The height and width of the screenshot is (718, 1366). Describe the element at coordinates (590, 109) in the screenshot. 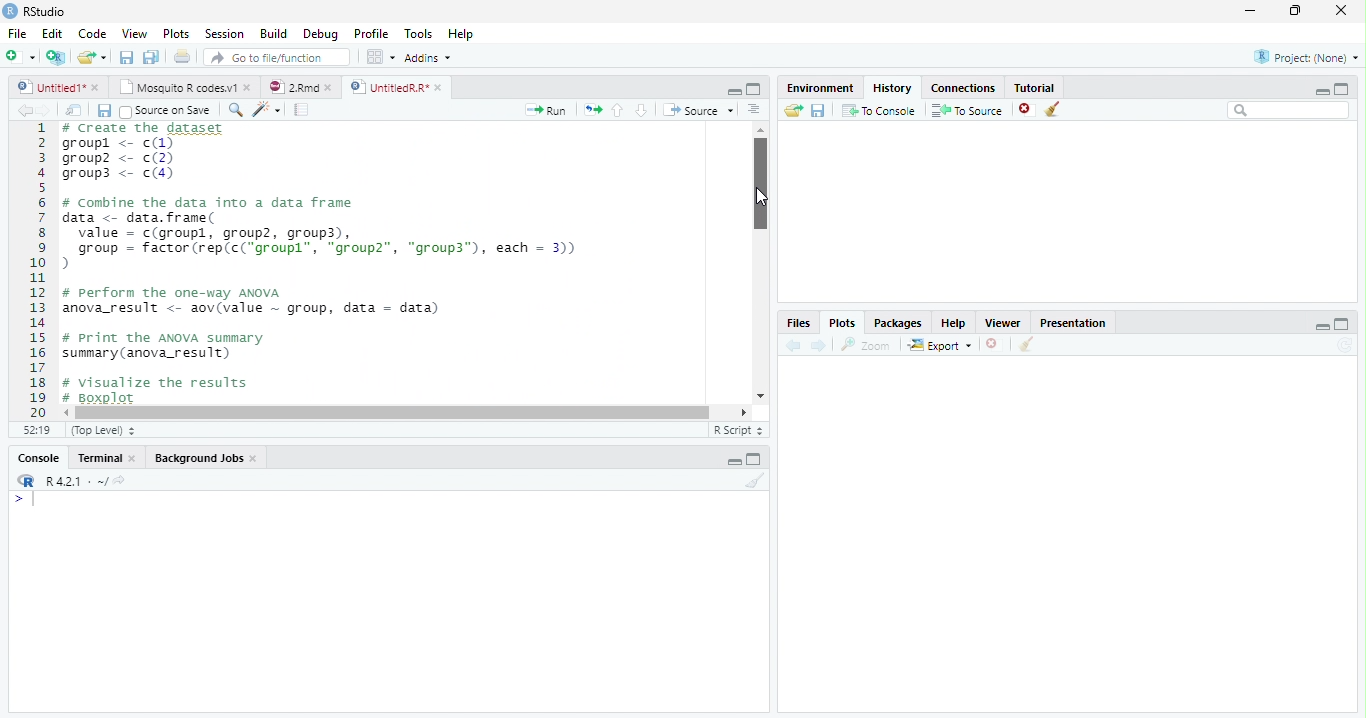

I see `Copy pages` at that location.